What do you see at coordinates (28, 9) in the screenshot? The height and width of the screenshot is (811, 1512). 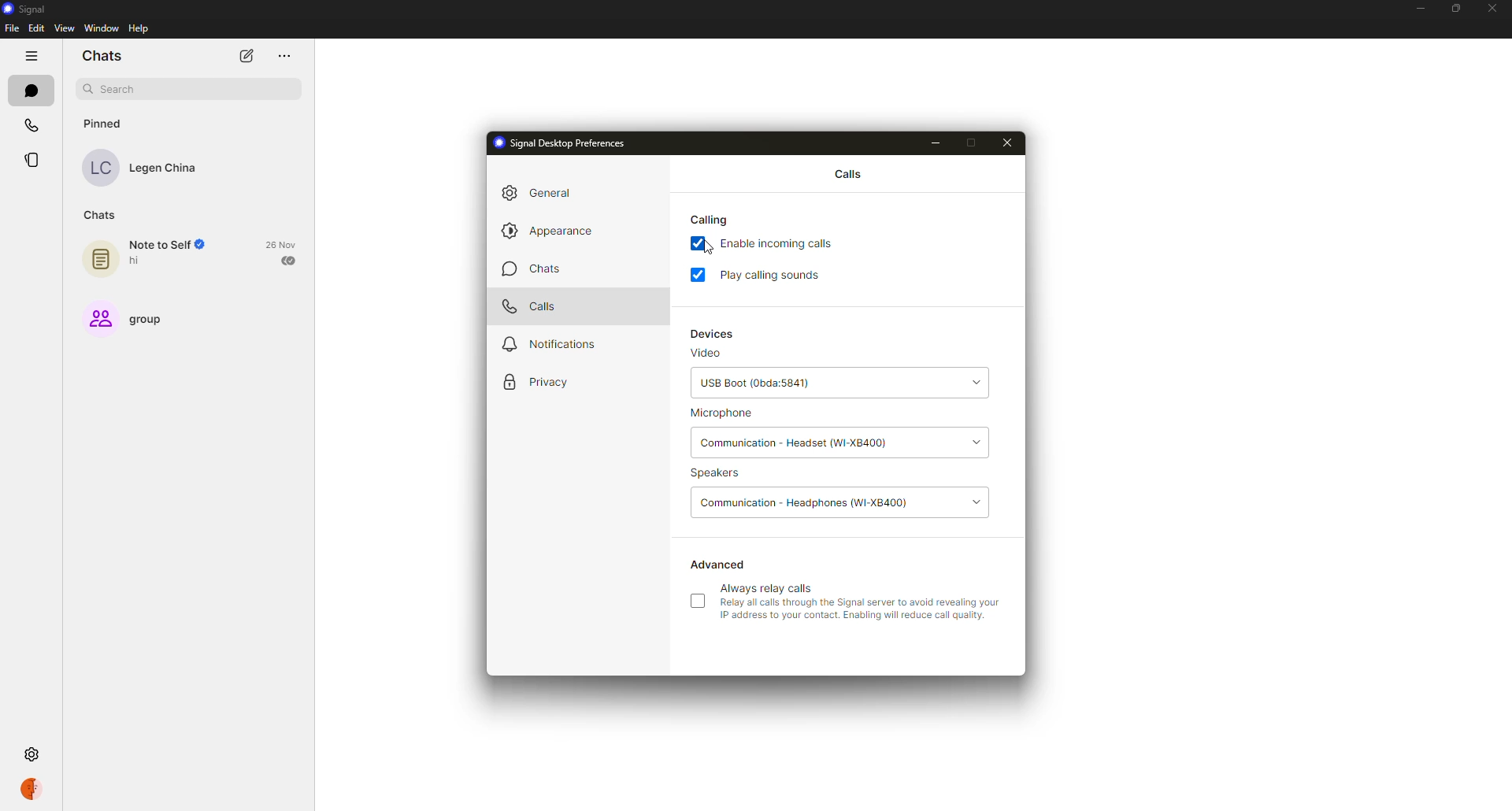 I see `signal` at bounding box center [28, 9].